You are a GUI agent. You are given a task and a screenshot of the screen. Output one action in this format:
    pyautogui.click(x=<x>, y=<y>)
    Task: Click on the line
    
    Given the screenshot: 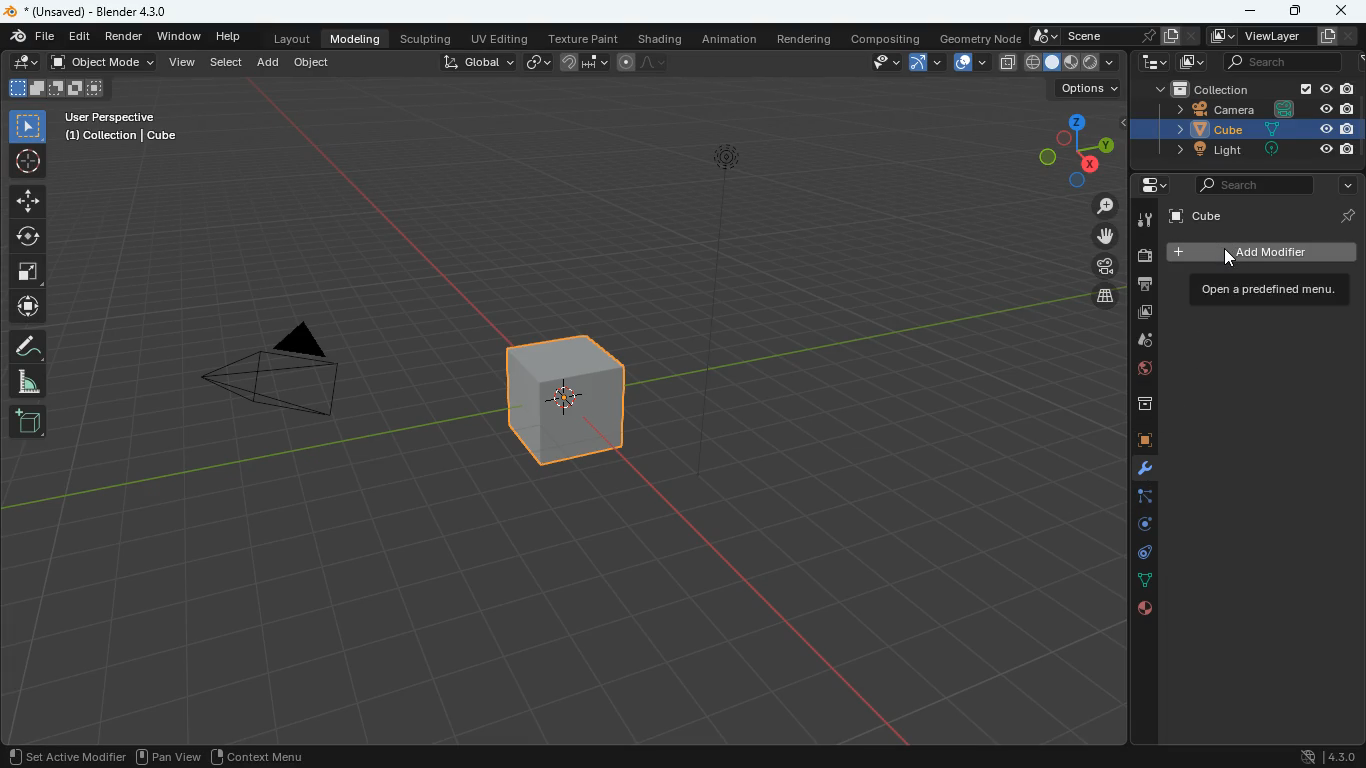 What is the action you would take?
    pyautogui.click(x=641, y=64)
    